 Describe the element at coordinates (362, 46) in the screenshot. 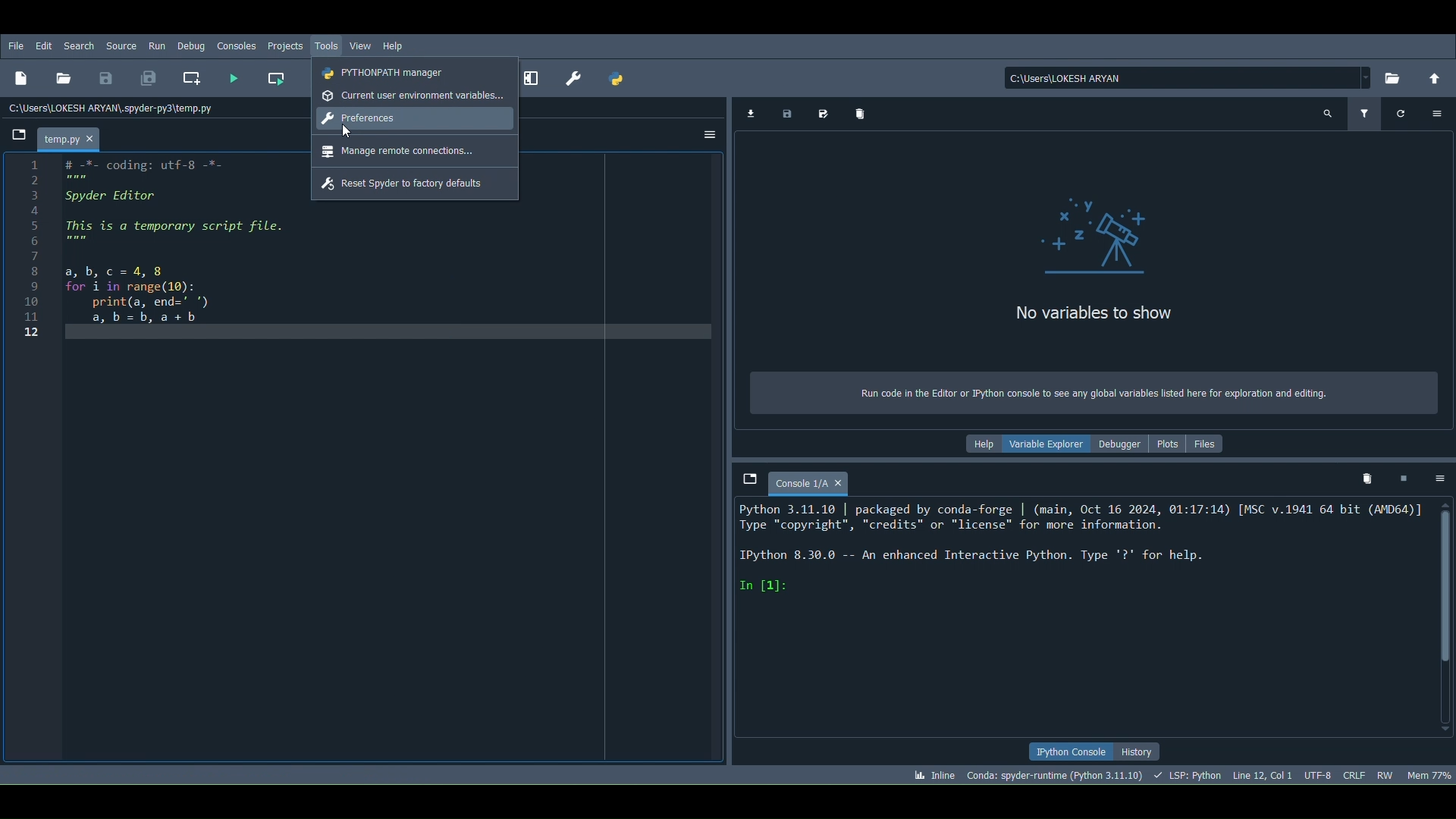

I see `View` at that location.